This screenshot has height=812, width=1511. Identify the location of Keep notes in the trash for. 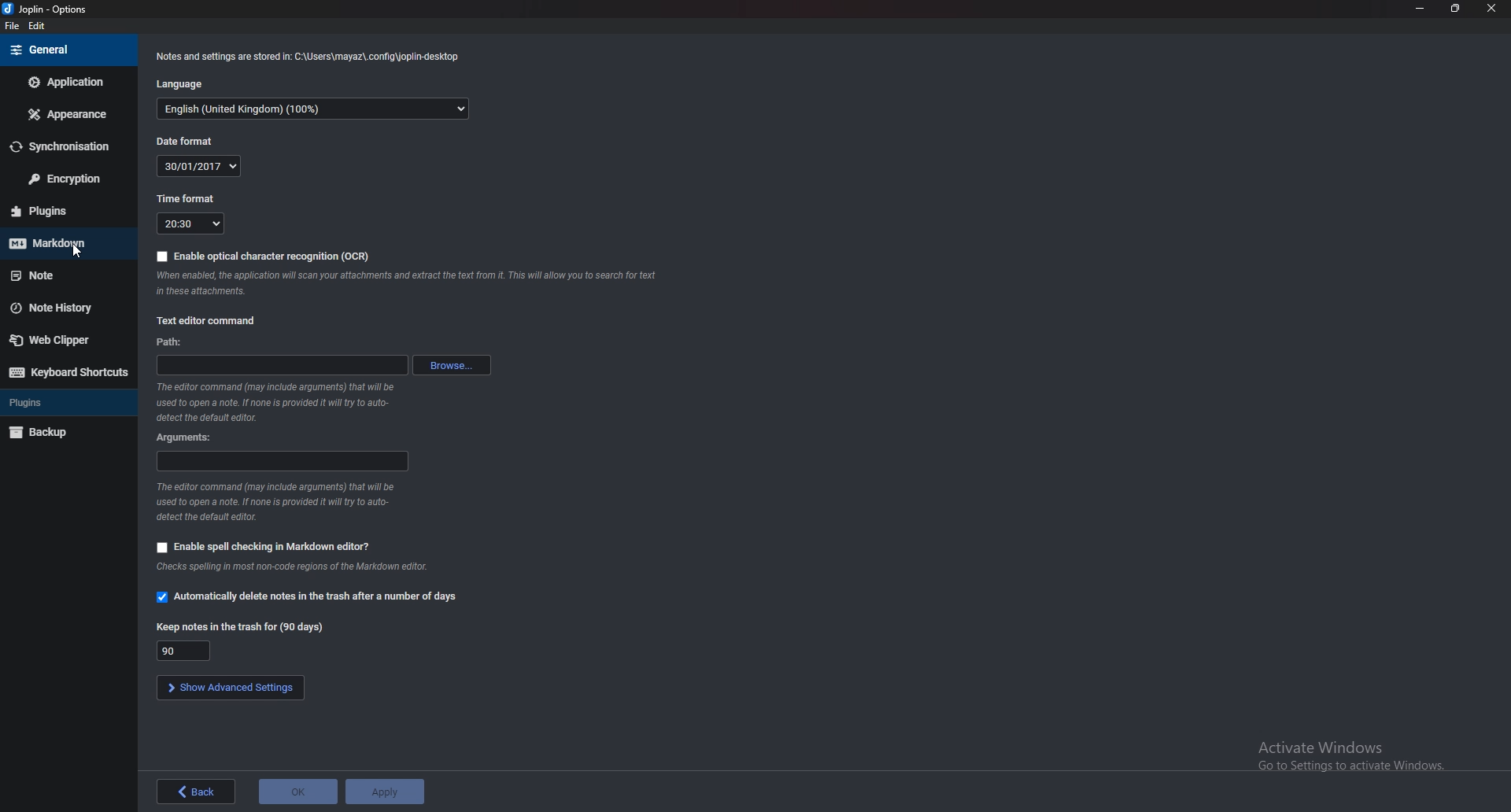
(182, 651).